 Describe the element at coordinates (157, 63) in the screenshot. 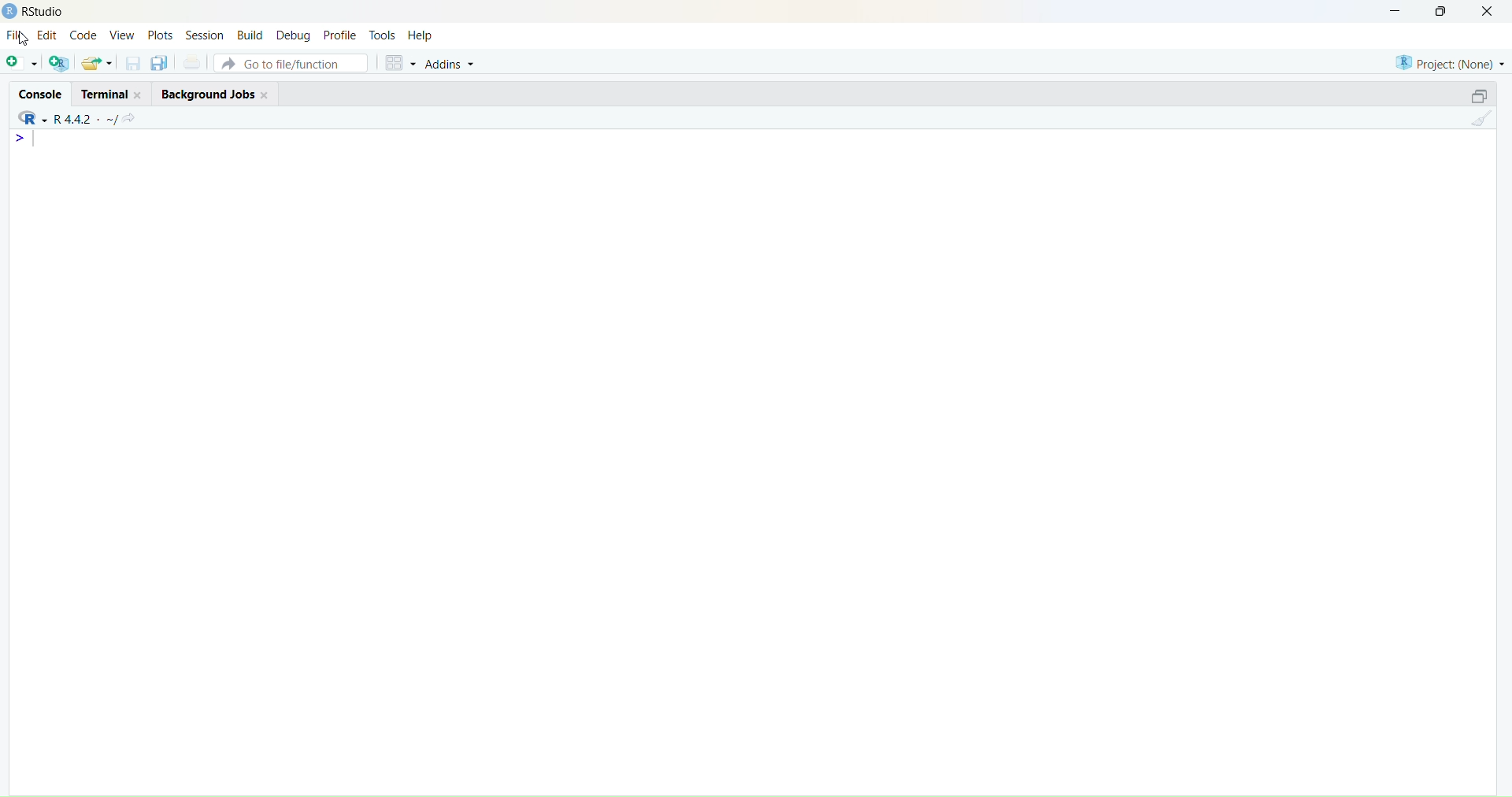

I see `Save all open documents (Ctrl + Alt + S)` at that location.